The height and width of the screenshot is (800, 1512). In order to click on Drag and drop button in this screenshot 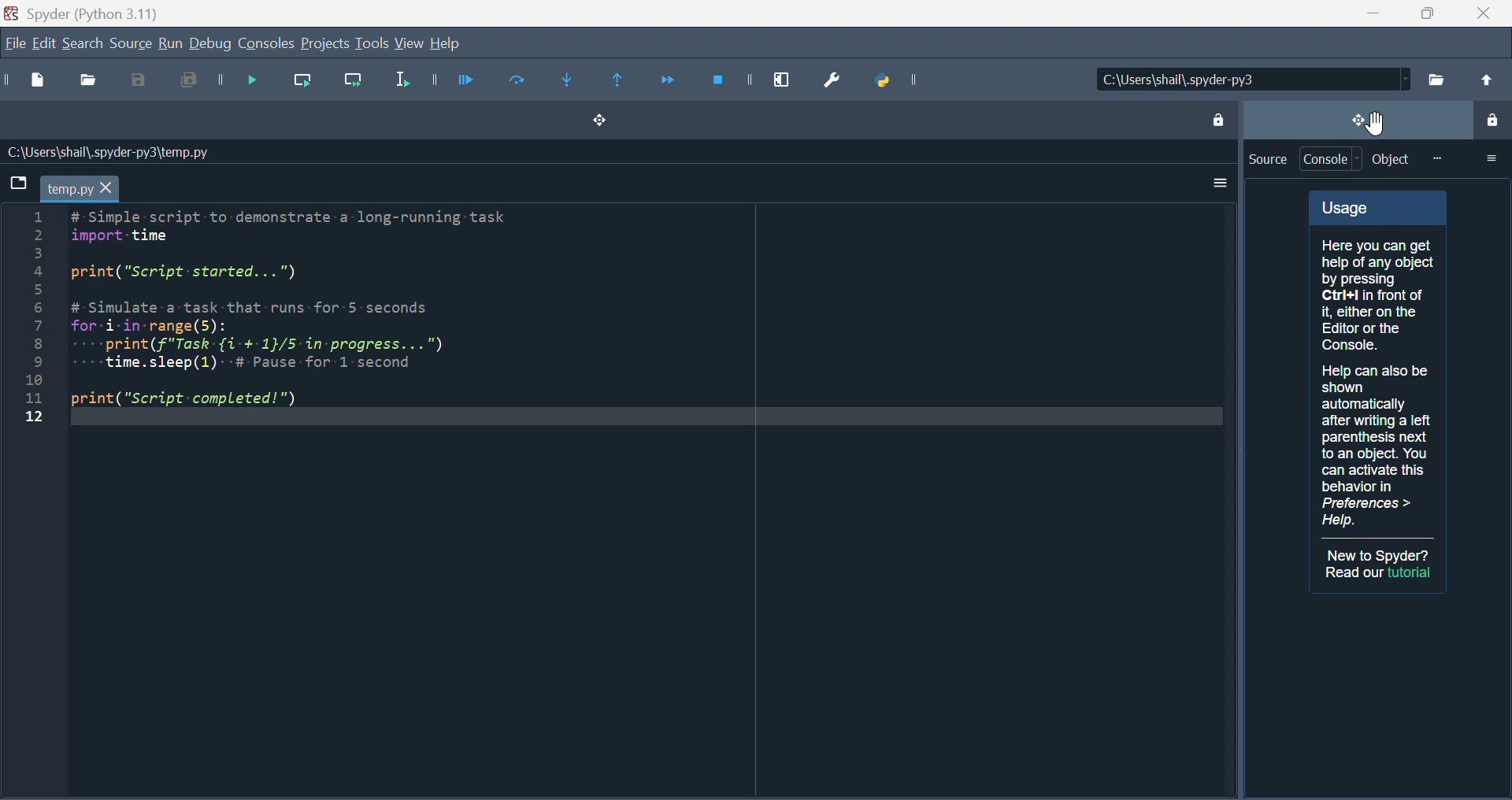, I will do `click(597, 122)`.